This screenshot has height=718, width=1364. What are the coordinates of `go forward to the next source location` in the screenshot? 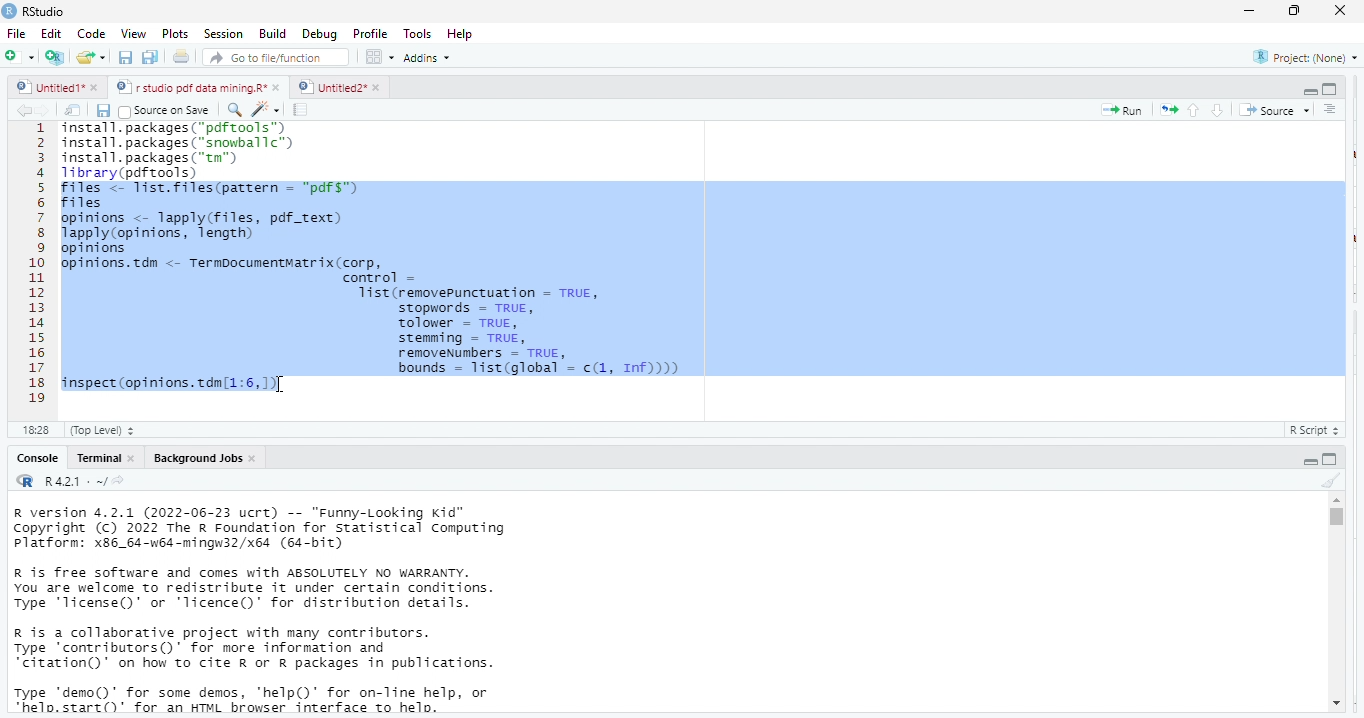 It's located at (47, 110).